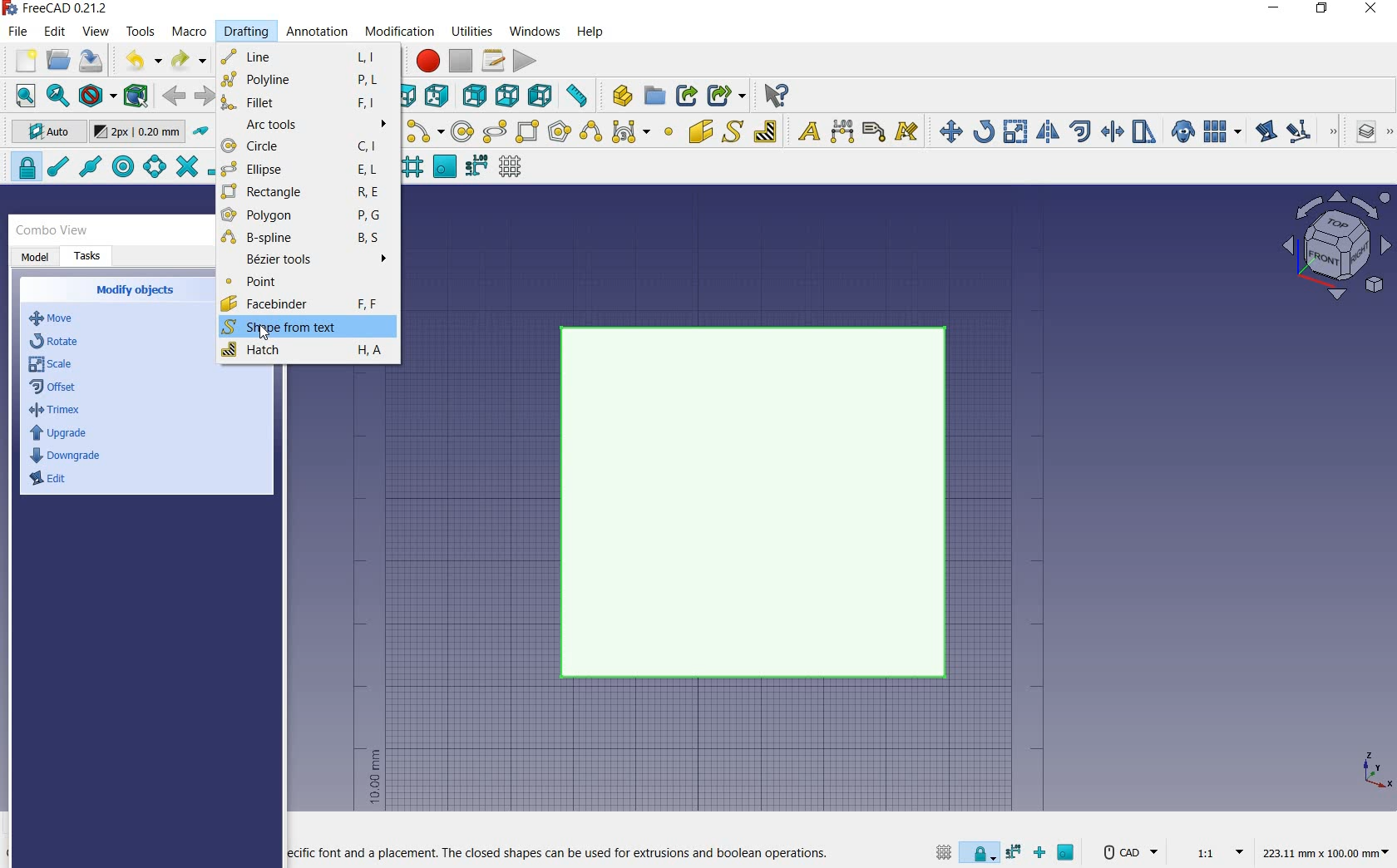  Describe the element at coordinates (247, 32) in the screenshot. I see `drafting` at that location.